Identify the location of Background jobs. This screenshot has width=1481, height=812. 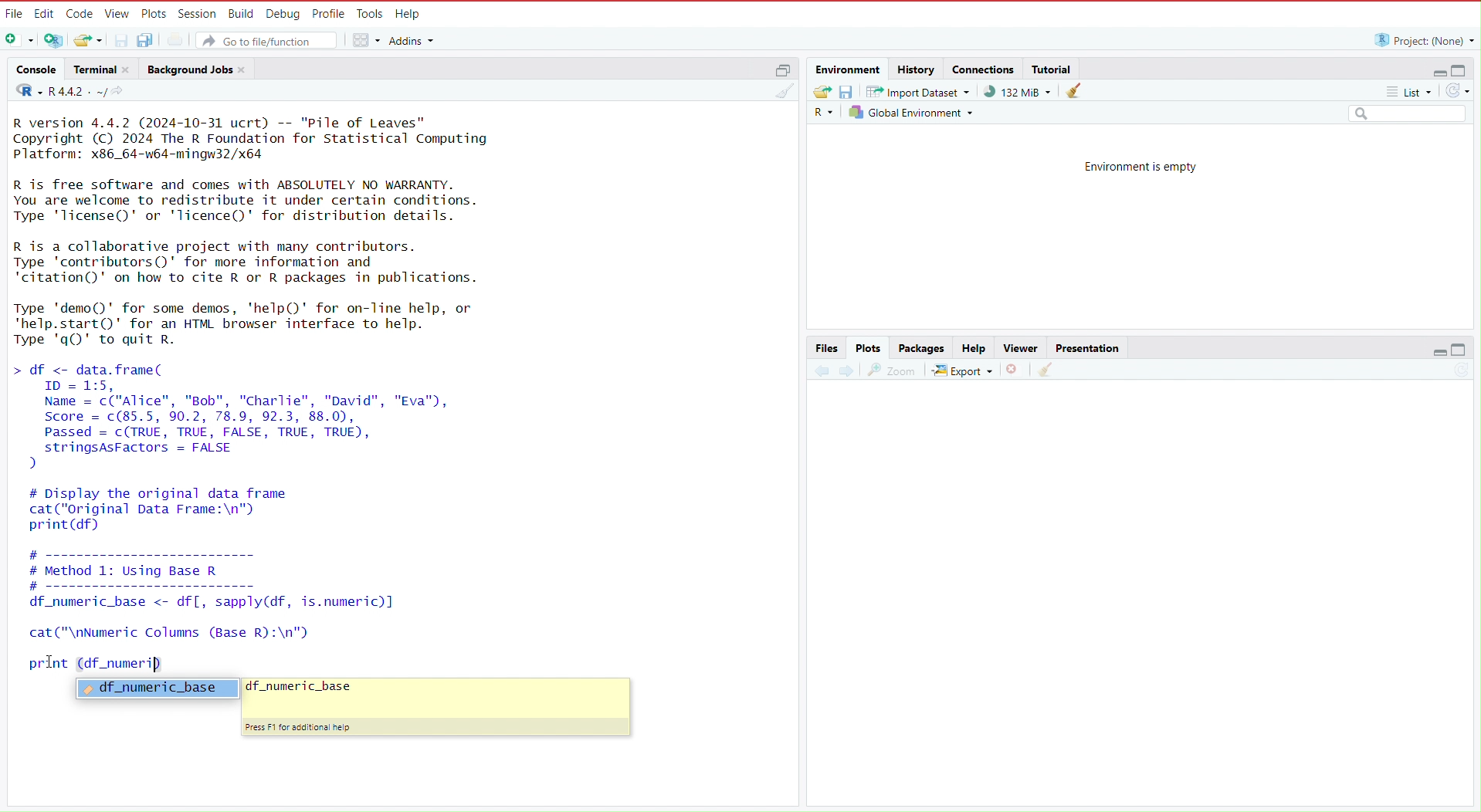
(188, 67).